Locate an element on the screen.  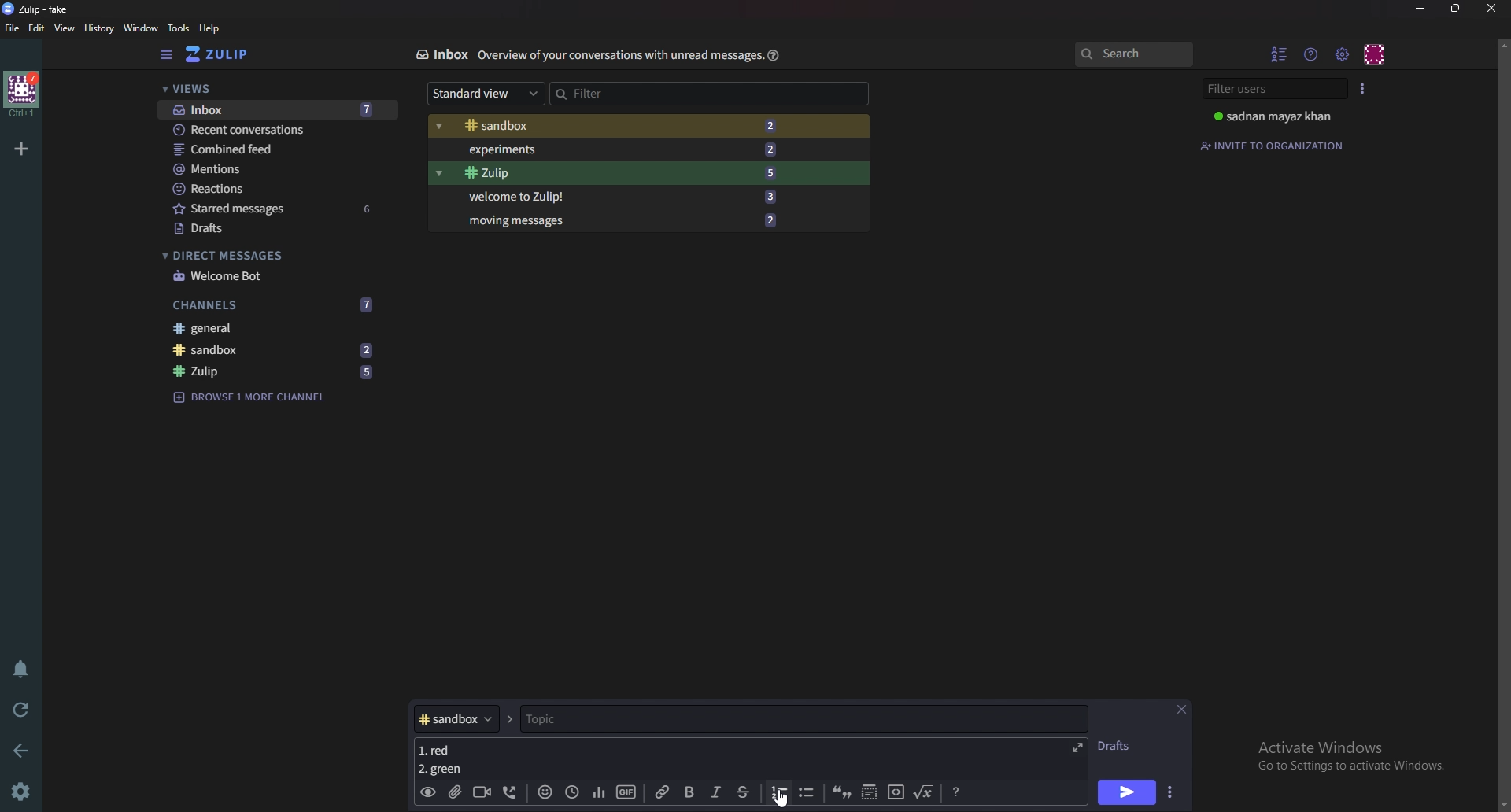
Channel is located at coordinates (455, 719).